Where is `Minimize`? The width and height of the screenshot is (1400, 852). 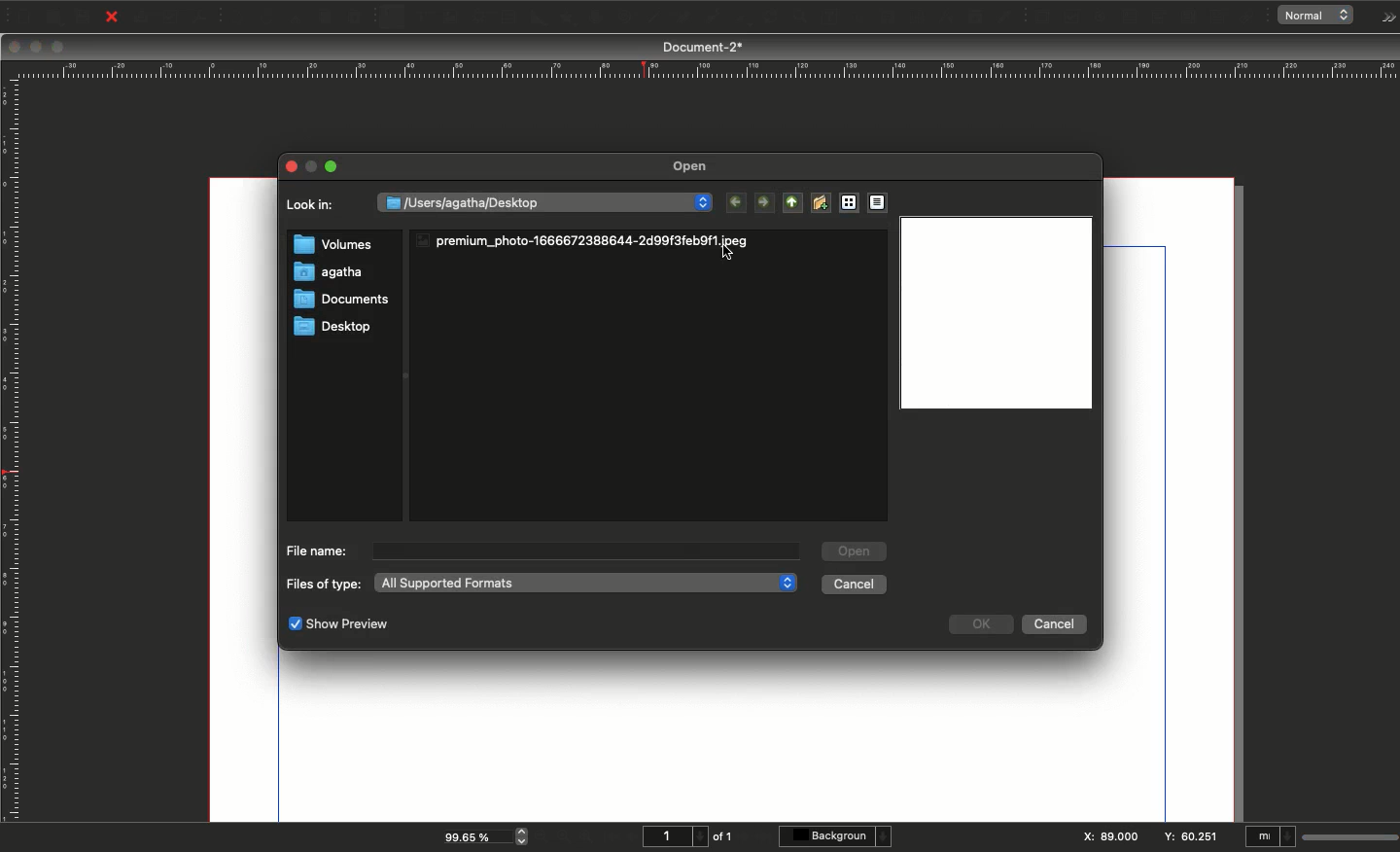 Minimize is located at coordinates (38, 48).